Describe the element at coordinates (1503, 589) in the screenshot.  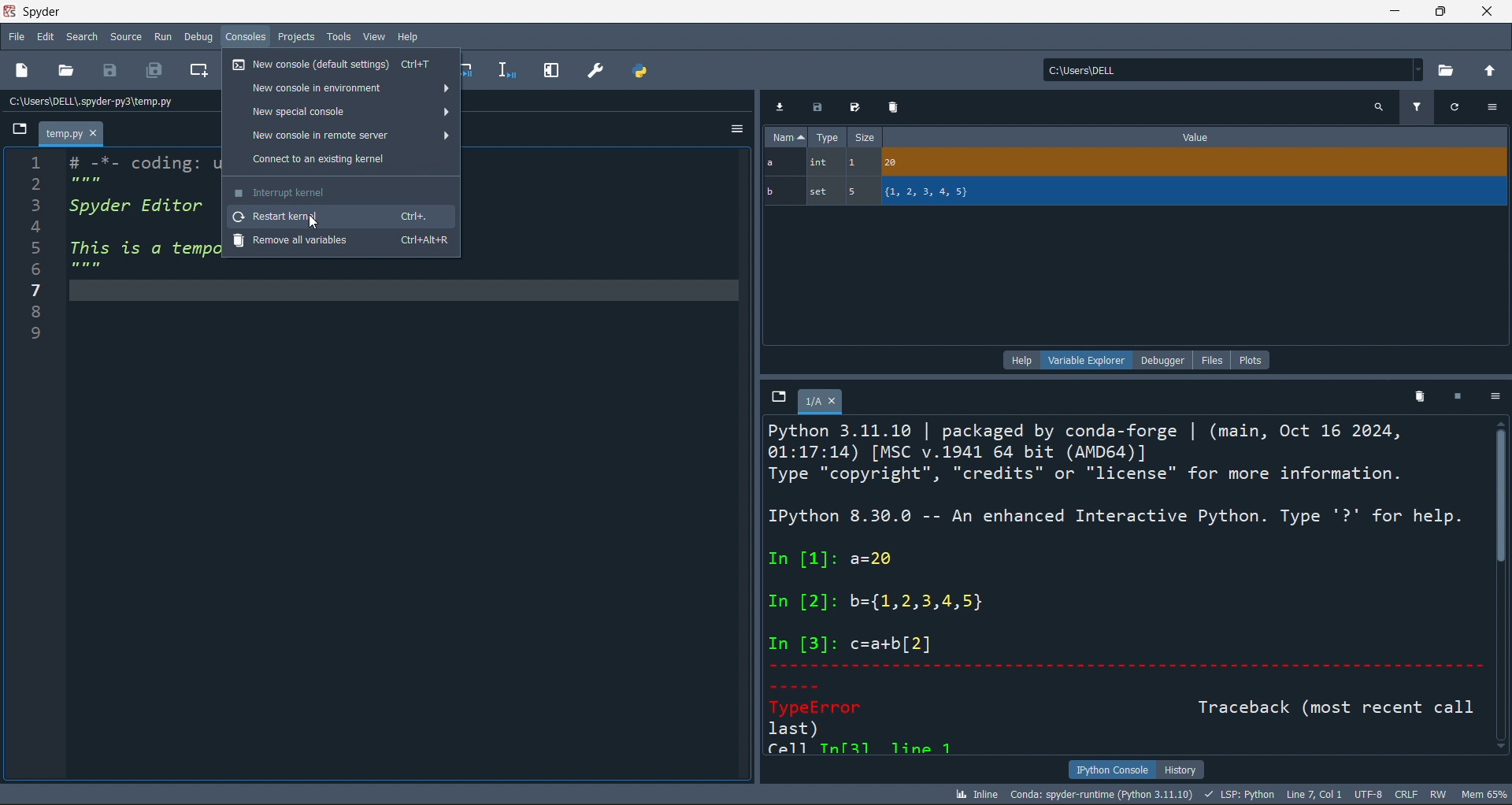
I see `vertical scroll bar` at that location.